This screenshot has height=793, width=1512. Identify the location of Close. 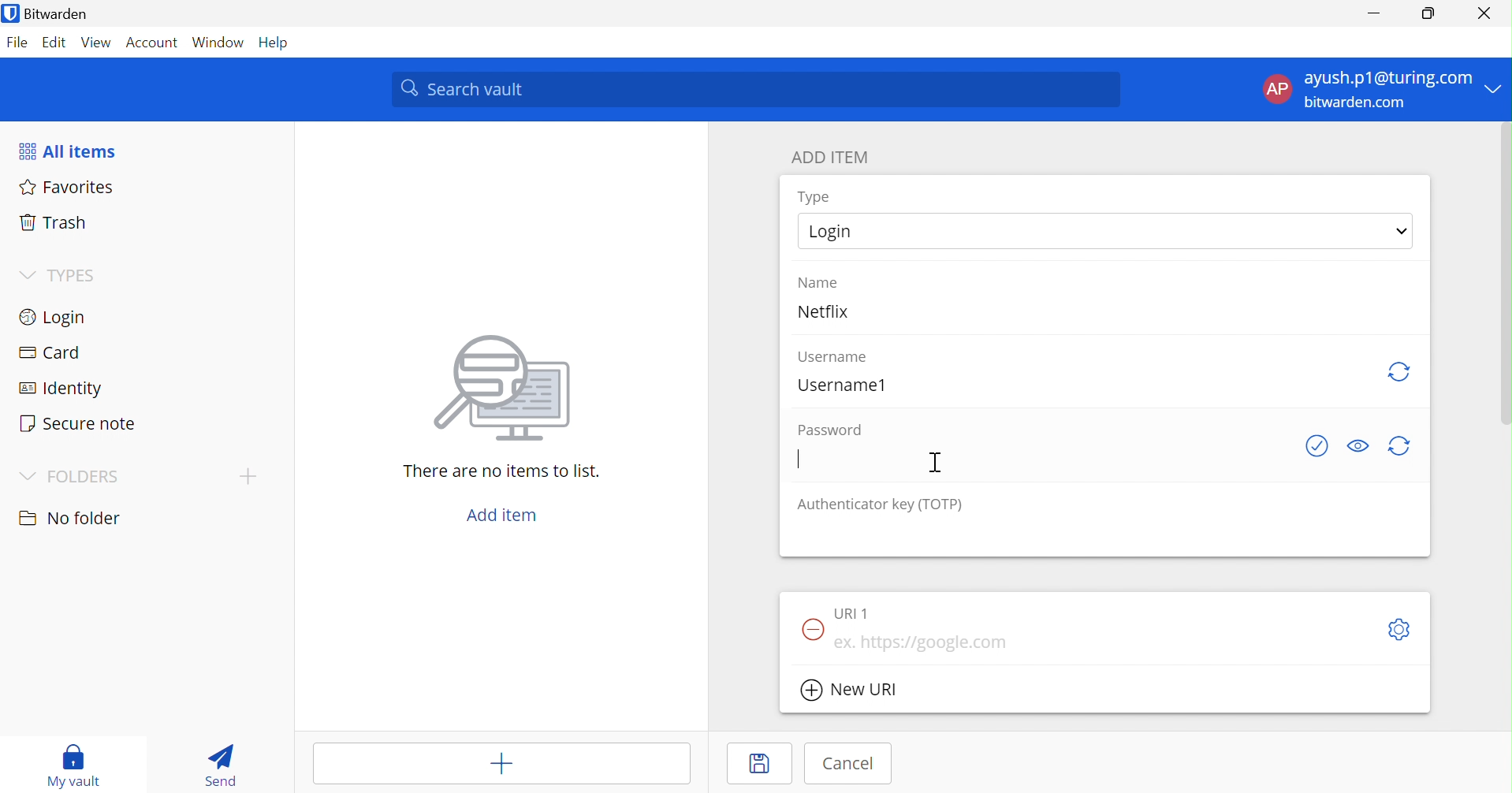
(1484, 13).